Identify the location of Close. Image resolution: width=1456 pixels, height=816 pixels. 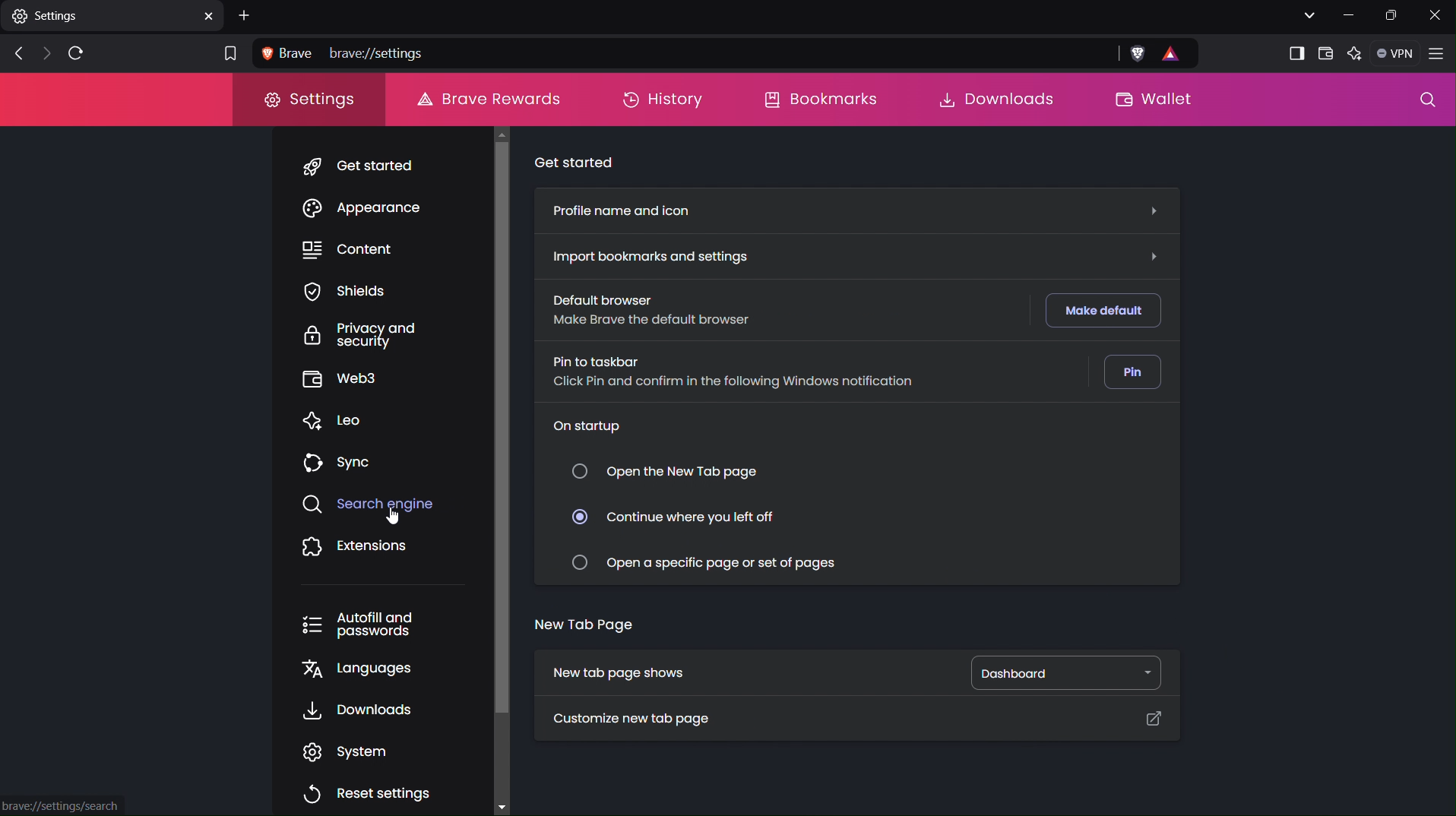
(1435, 15).